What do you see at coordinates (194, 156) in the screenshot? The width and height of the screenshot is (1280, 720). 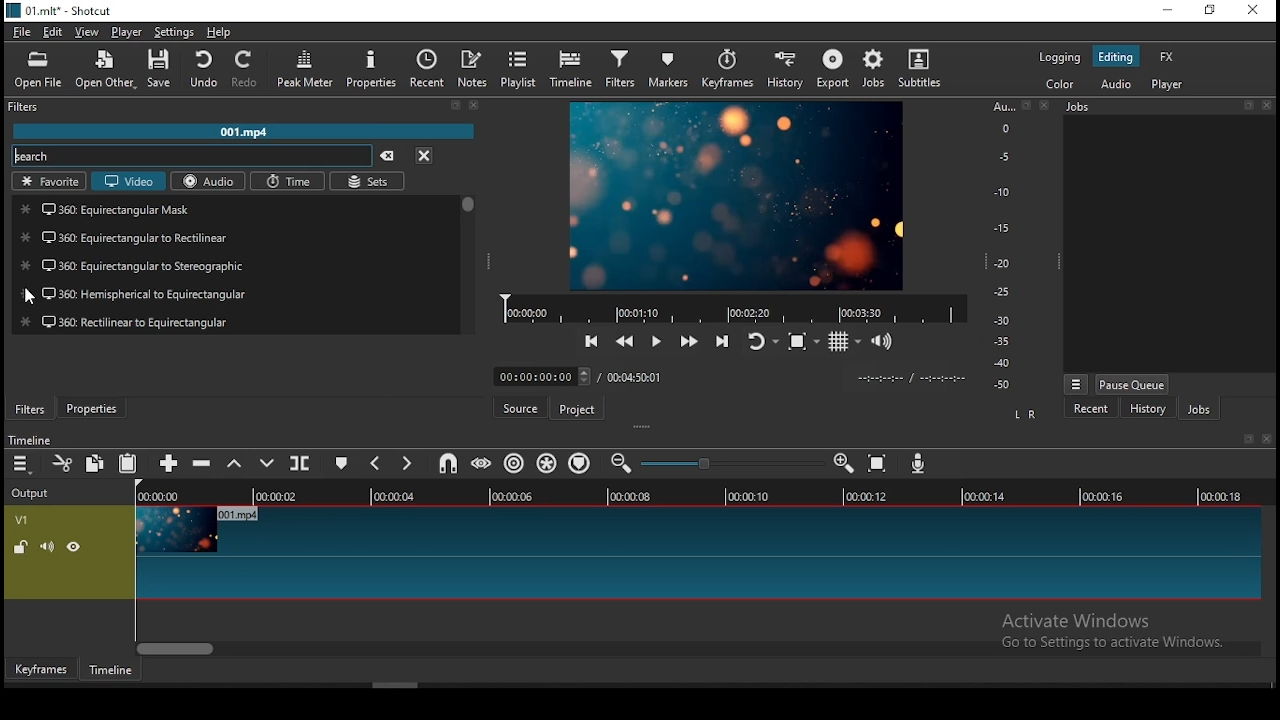 I see `search` at bounding box center [194, 156].